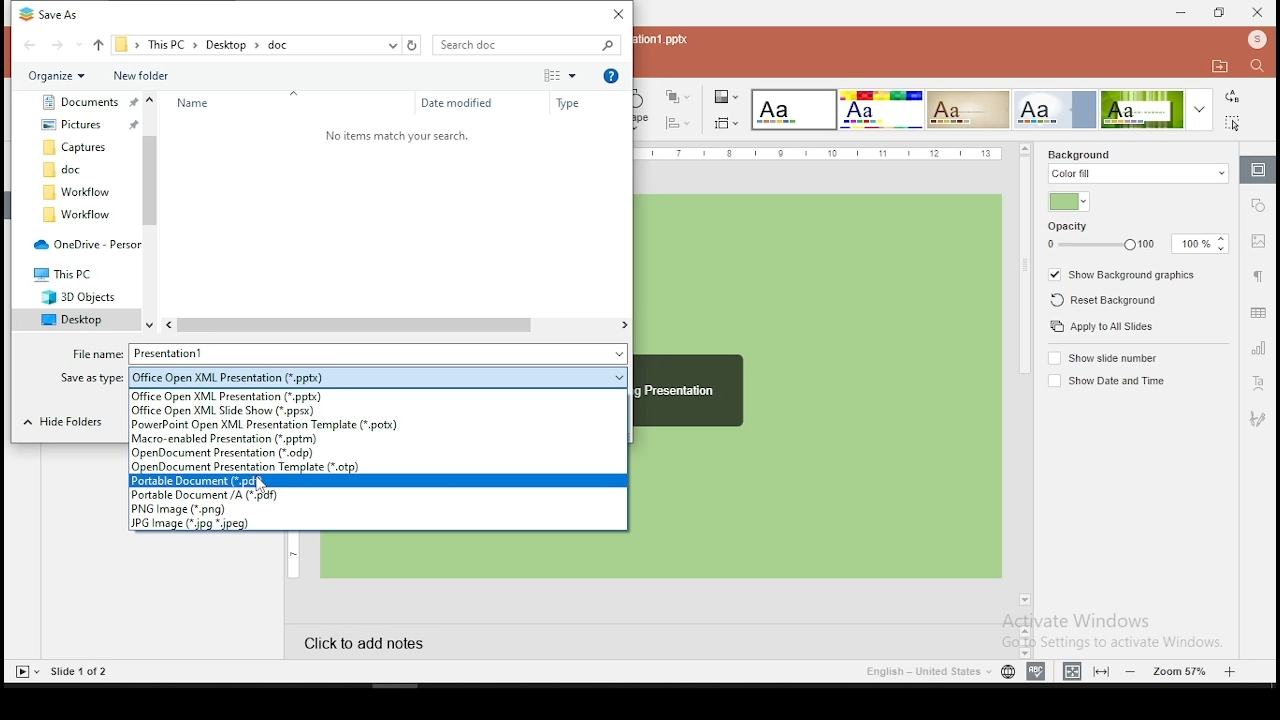 Image resolution: width=1280 pixels, height=720 pixels. What do you see at coordinates (151, 211) in the screenshot?
I see `Vertical scrollbar` at bounding box center [151, 211].